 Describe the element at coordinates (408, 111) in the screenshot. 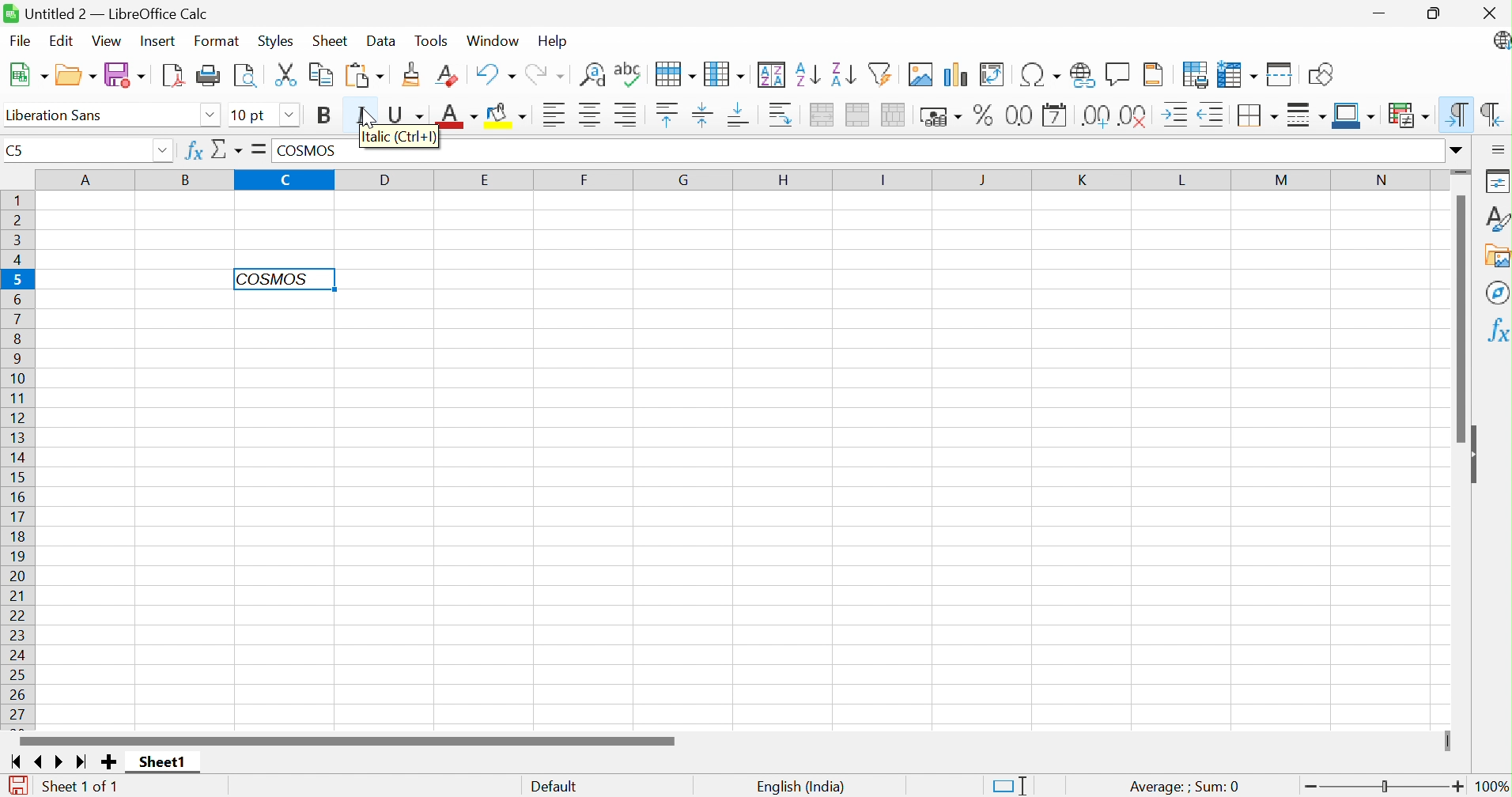

I see `Underline` at that location.